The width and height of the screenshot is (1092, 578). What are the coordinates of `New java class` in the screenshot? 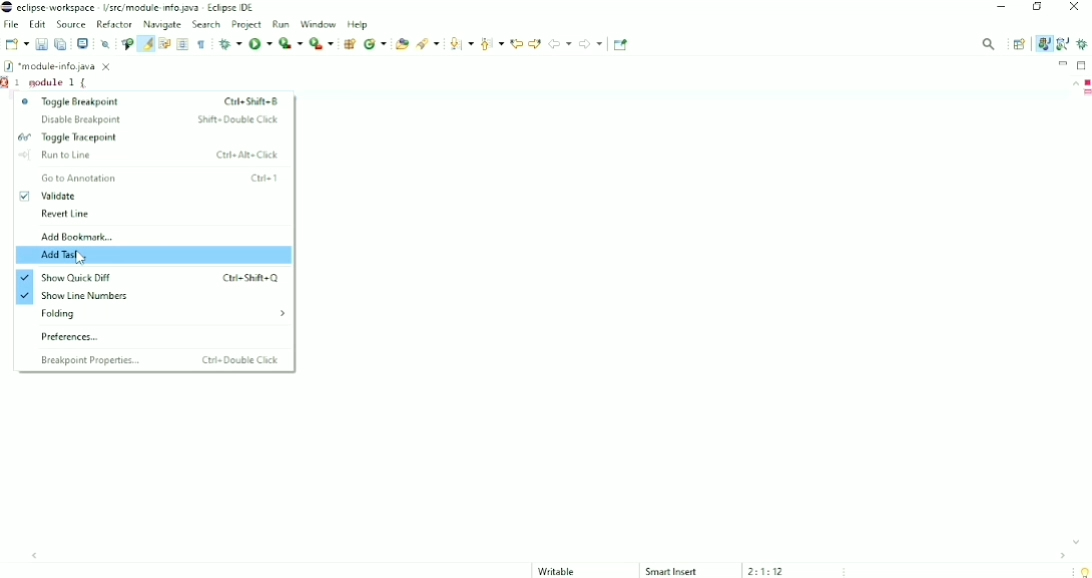 It's located at (375, 45).